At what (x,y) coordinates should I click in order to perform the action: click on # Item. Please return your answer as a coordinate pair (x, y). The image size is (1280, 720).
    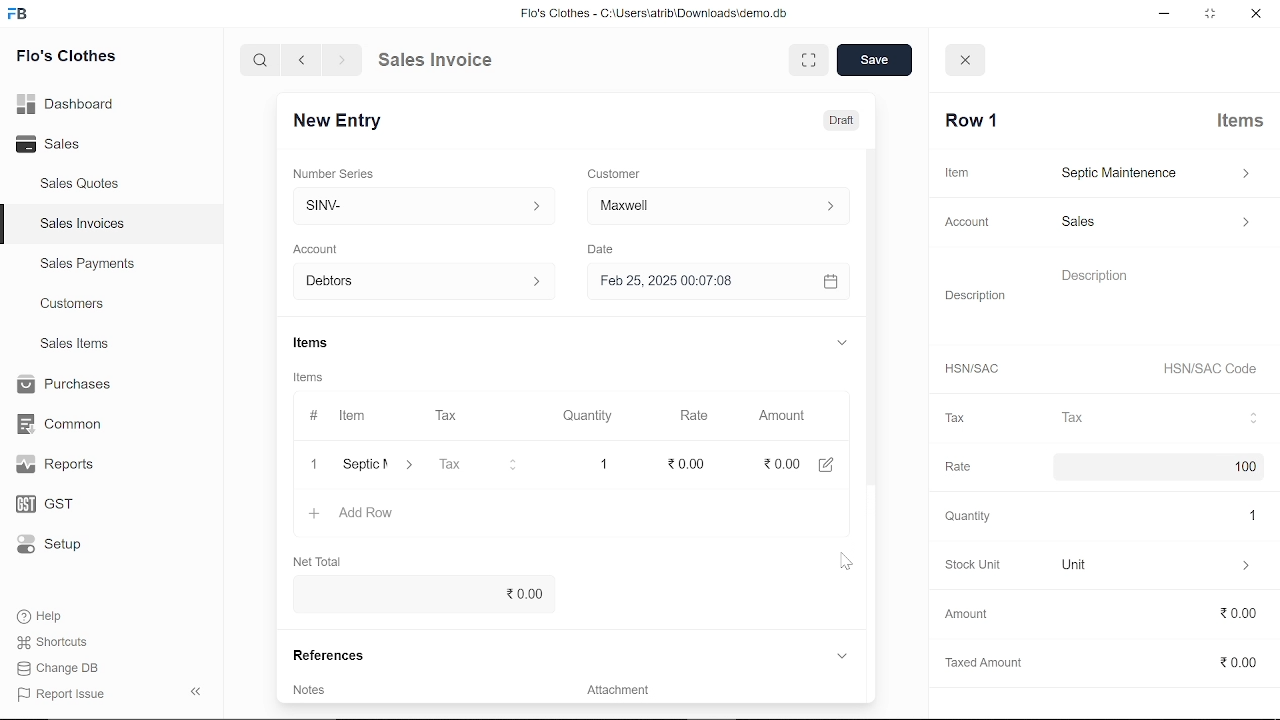
    Looking at the image, I should click on (337, 417).